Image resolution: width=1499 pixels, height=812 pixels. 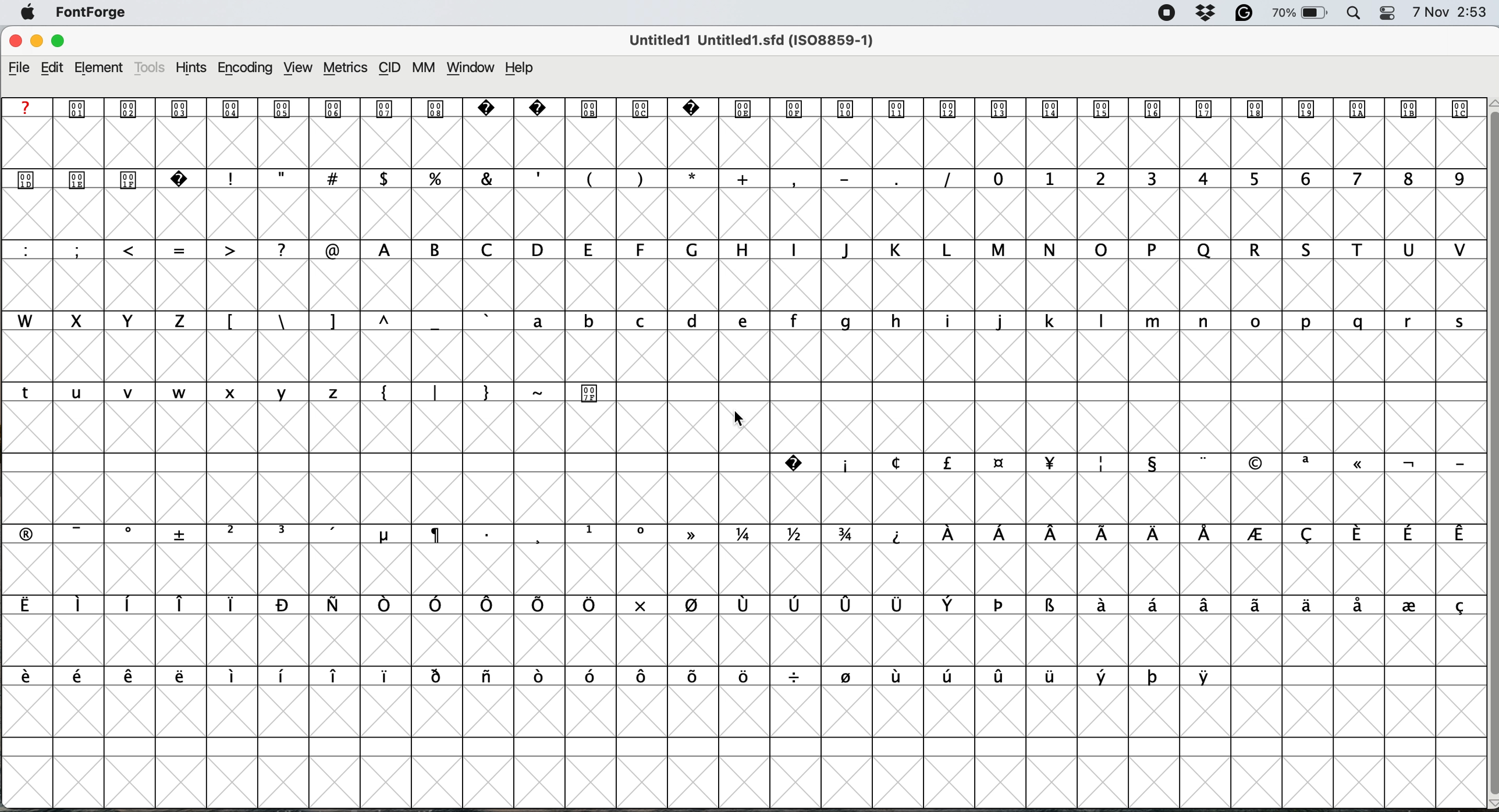 What do you see at coordinates (517, 69) in the screenshot?
I see `help` at bounding box center [517, 69].